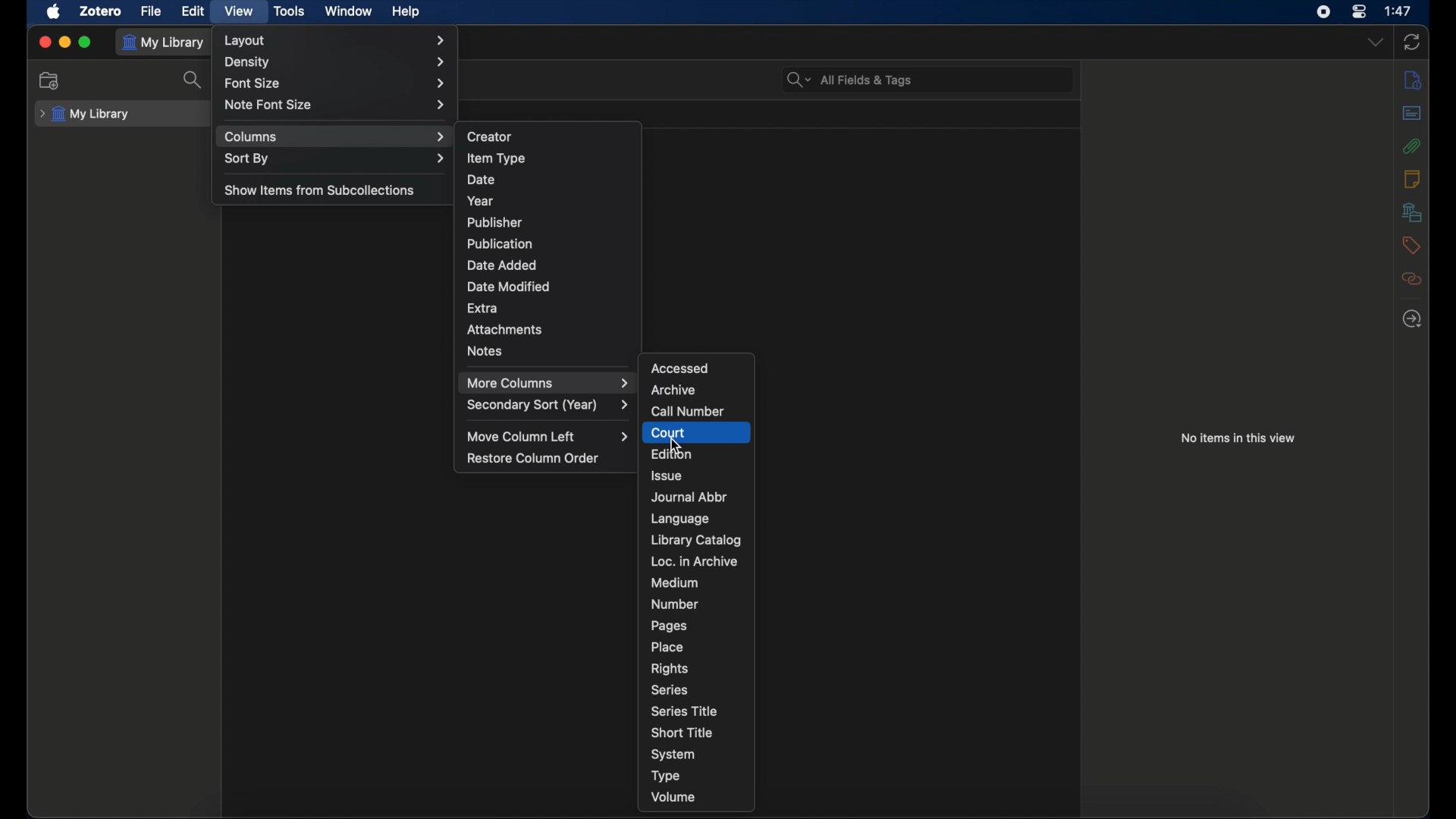  What do you see at coordinates (335, 40) in the screenshot?
I see `layout ` at bounding box center [335, 40].